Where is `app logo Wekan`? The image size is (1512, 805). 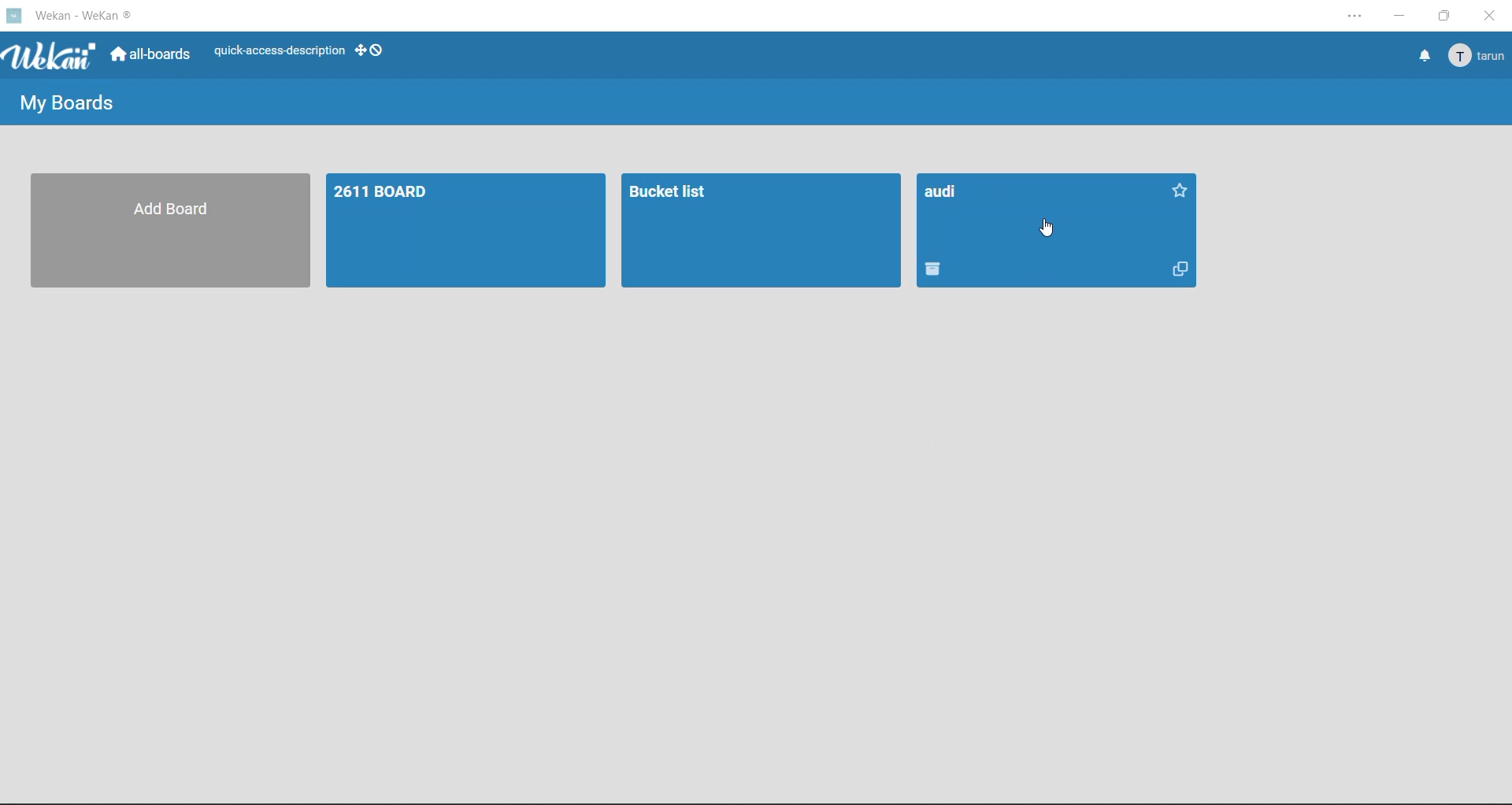 app logo Wekan is located at coordinates (47, 57).